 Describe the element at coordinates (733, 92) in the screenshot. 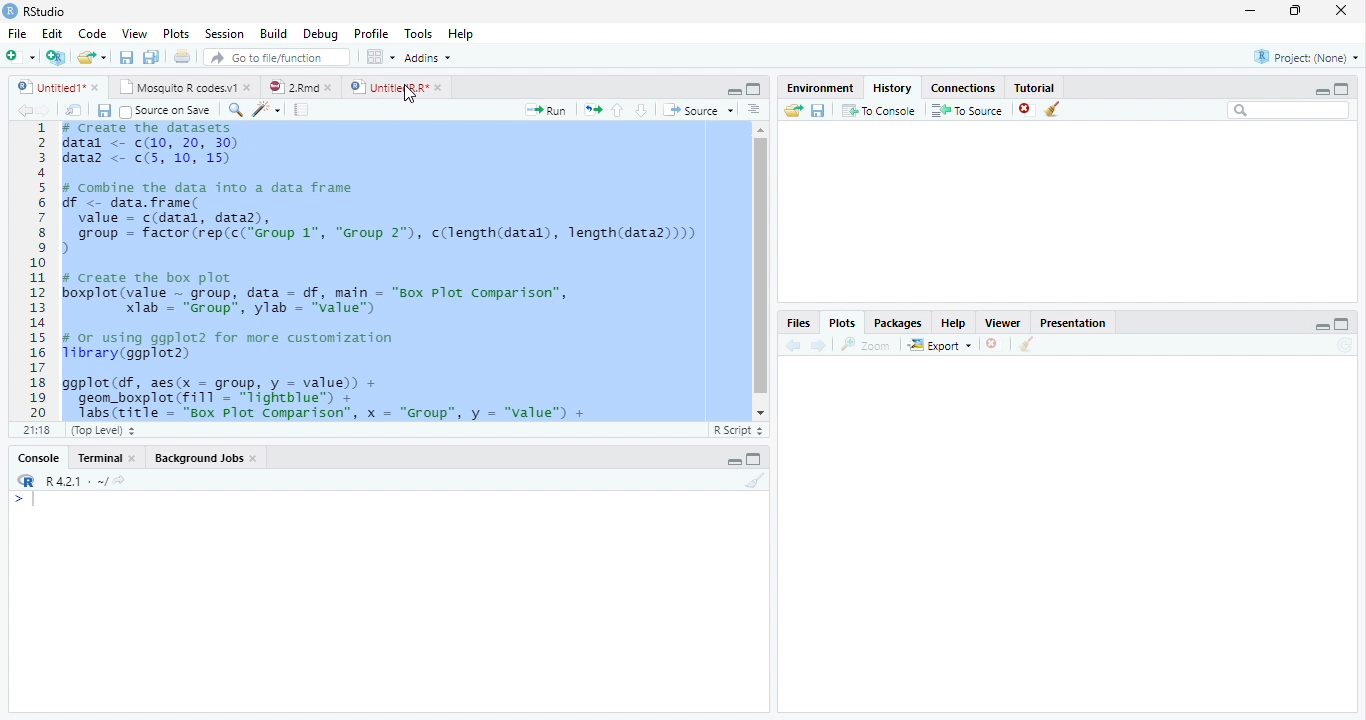

I see `Minimize` at that location.